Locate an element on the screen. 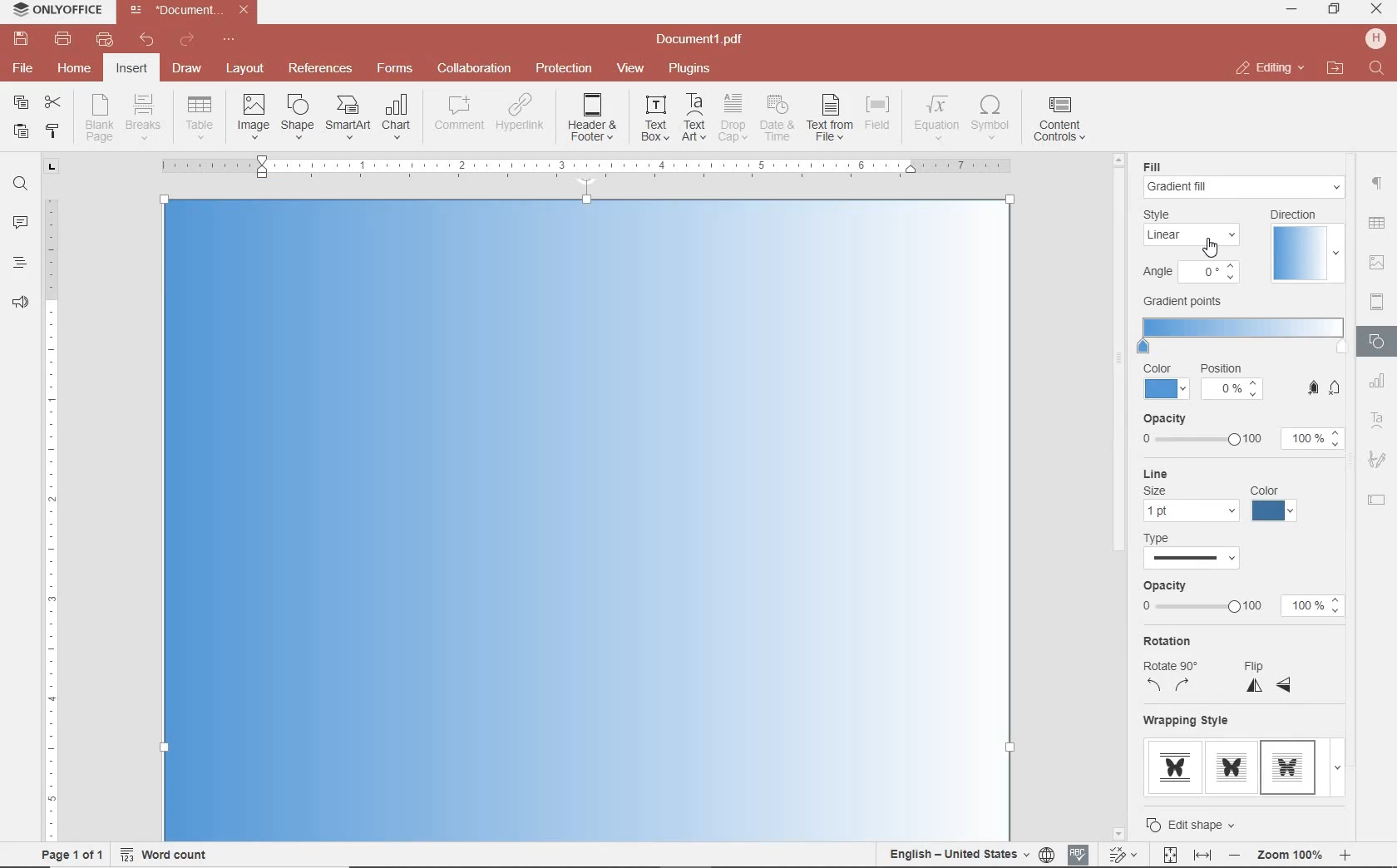 This screenshot has width=1397, height=868. ruler is located at coordinates (52, 508).